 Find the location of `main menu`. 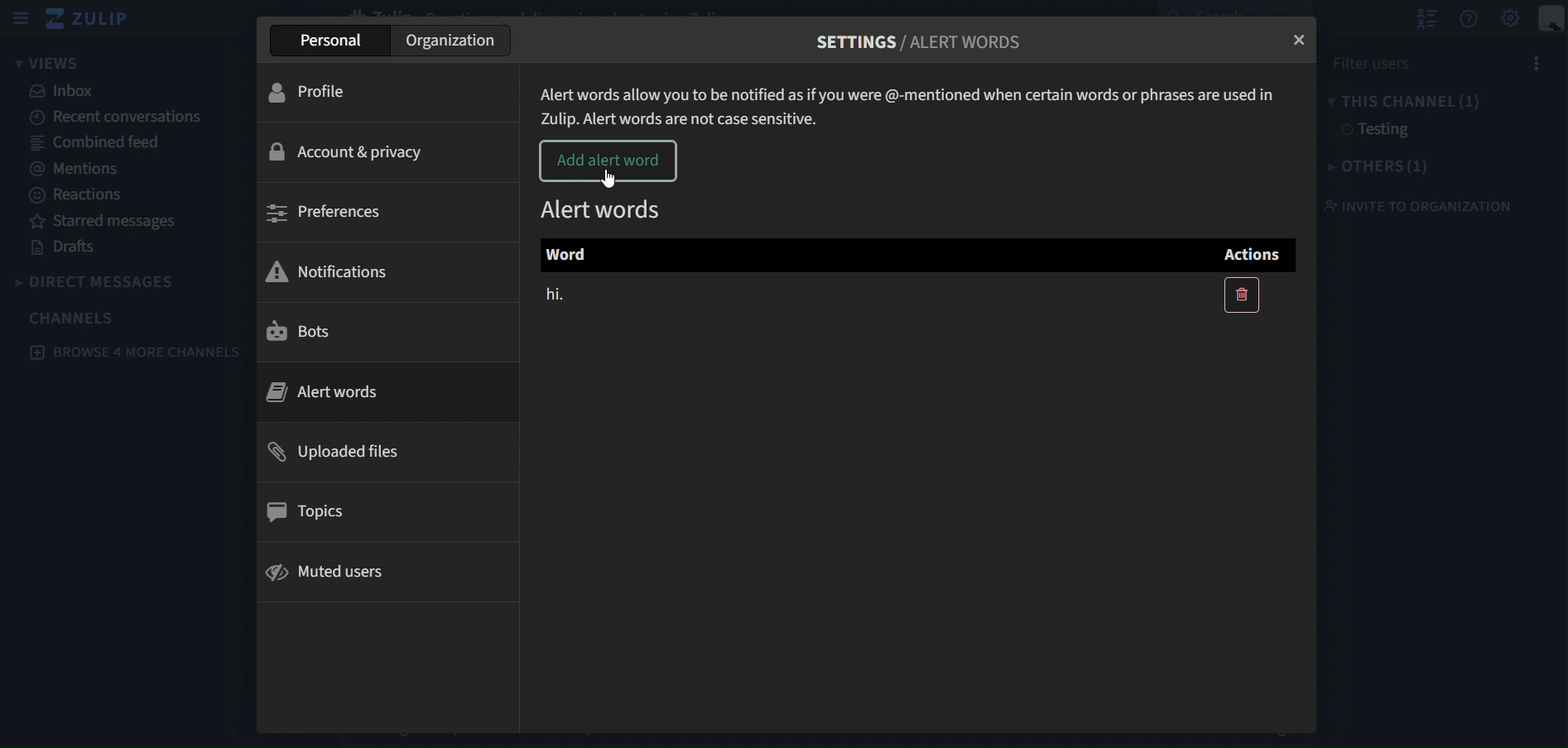

main menu is located at coordinates (1511, 19).